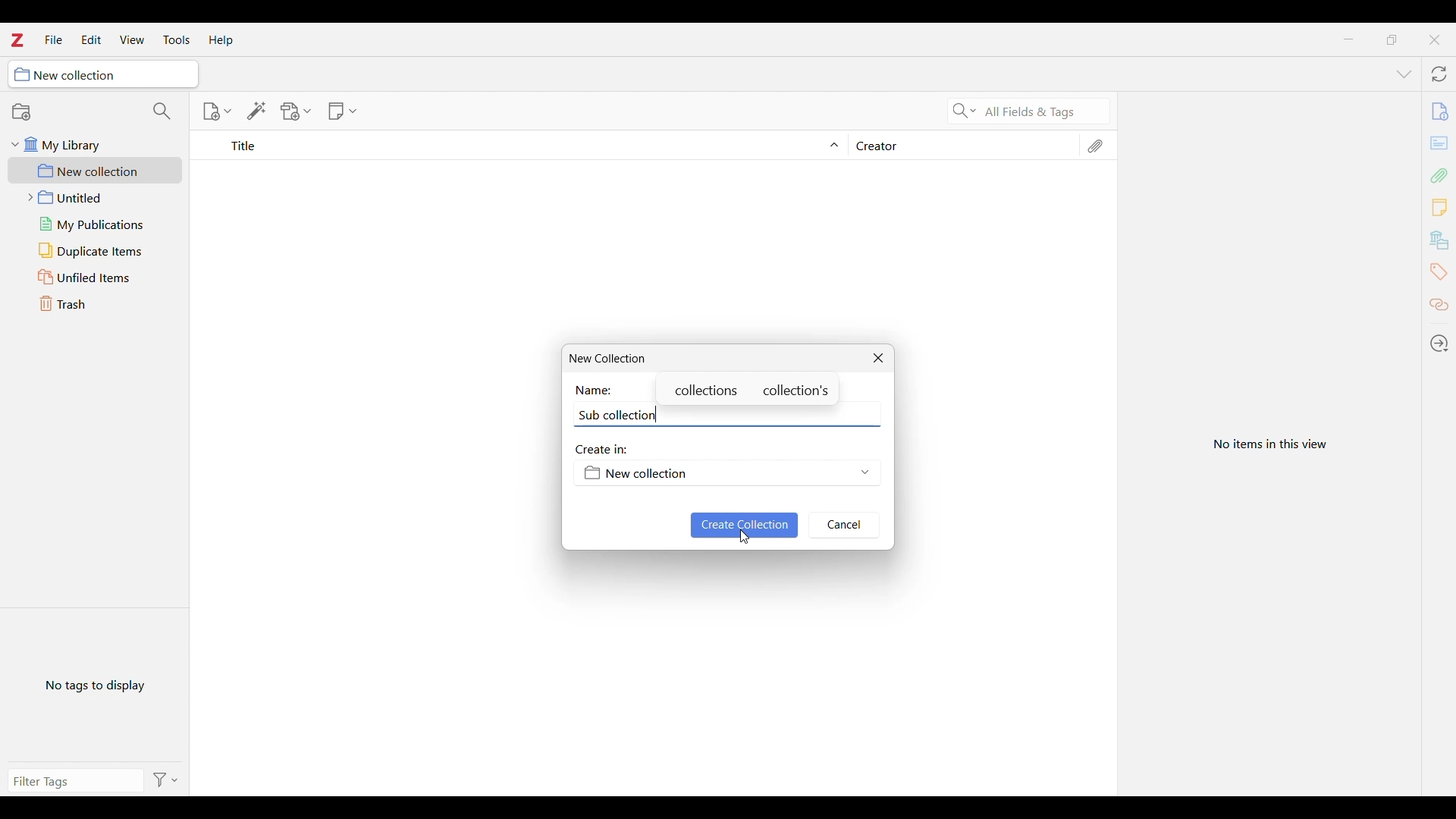  Describe the element at coordinates (102, 74) in the screenshot. I see `Current collection` at that location.